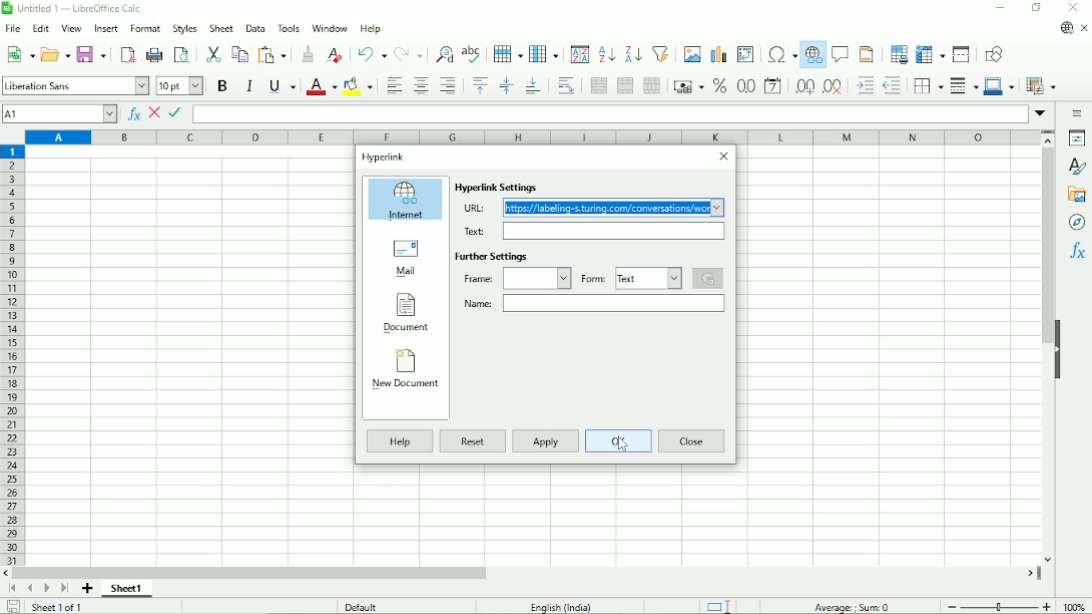  Describe the element at coordinates (493, 256) in the screenshot. I see `Further settings` at that location.